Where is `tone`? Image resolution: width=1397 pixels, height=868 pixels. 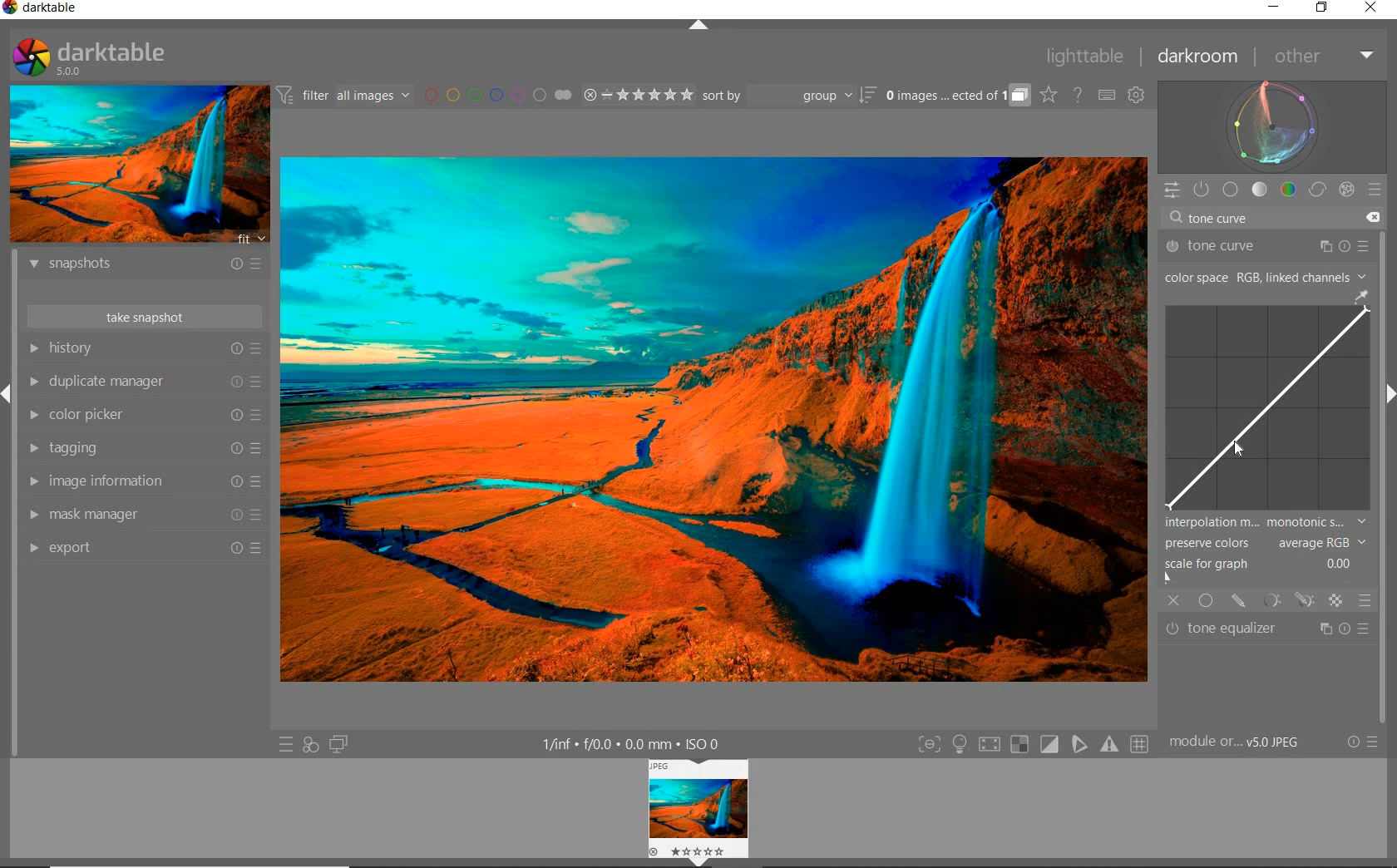
tone is located at coordinates (1260, 190).